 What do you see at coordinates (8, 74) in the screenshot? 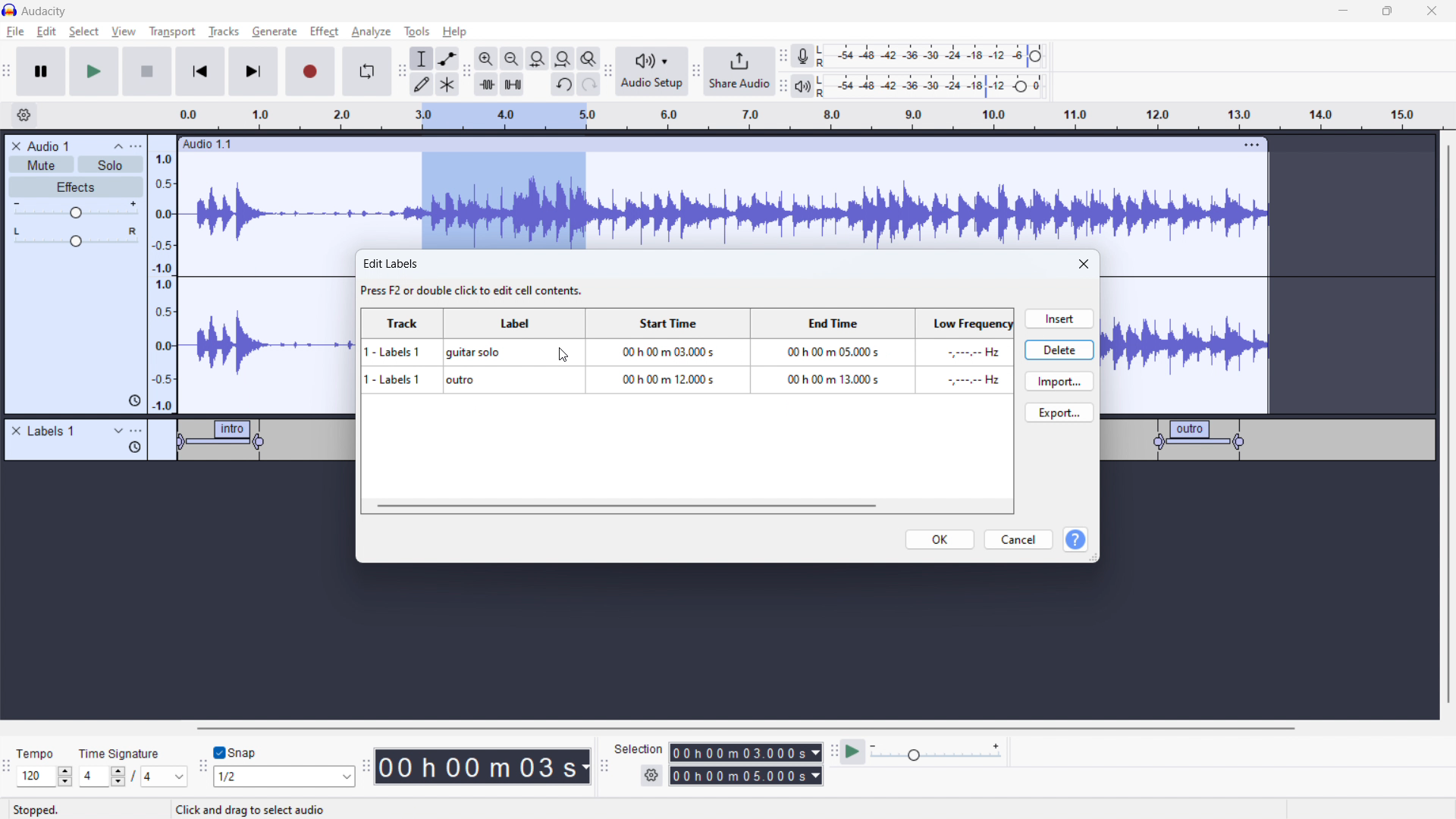
I see `transport toolbar` at bounding box center [8, 74].